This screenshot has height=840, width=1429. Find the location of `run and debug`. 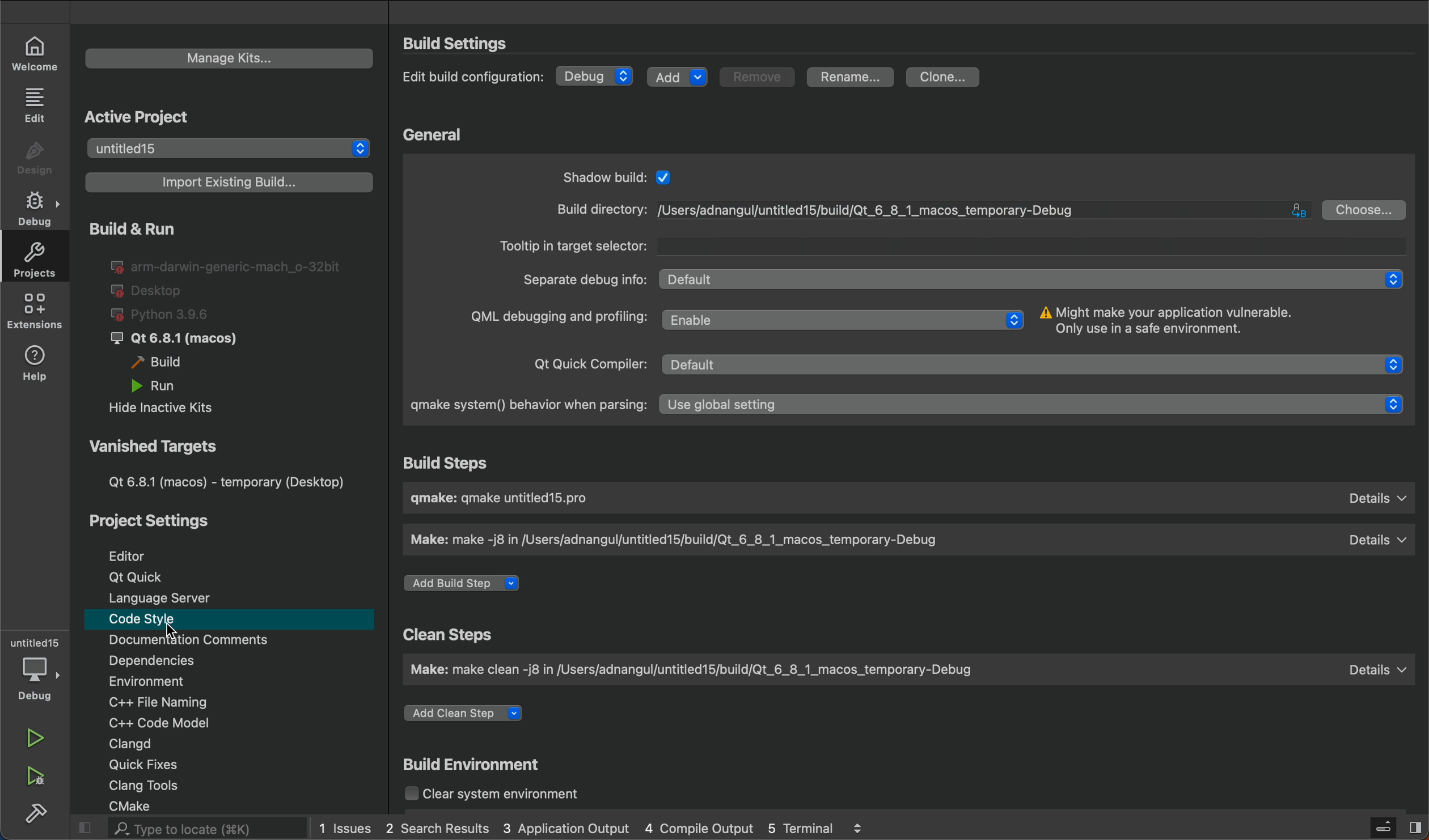

run and debug is located at coordinates (39, 778).